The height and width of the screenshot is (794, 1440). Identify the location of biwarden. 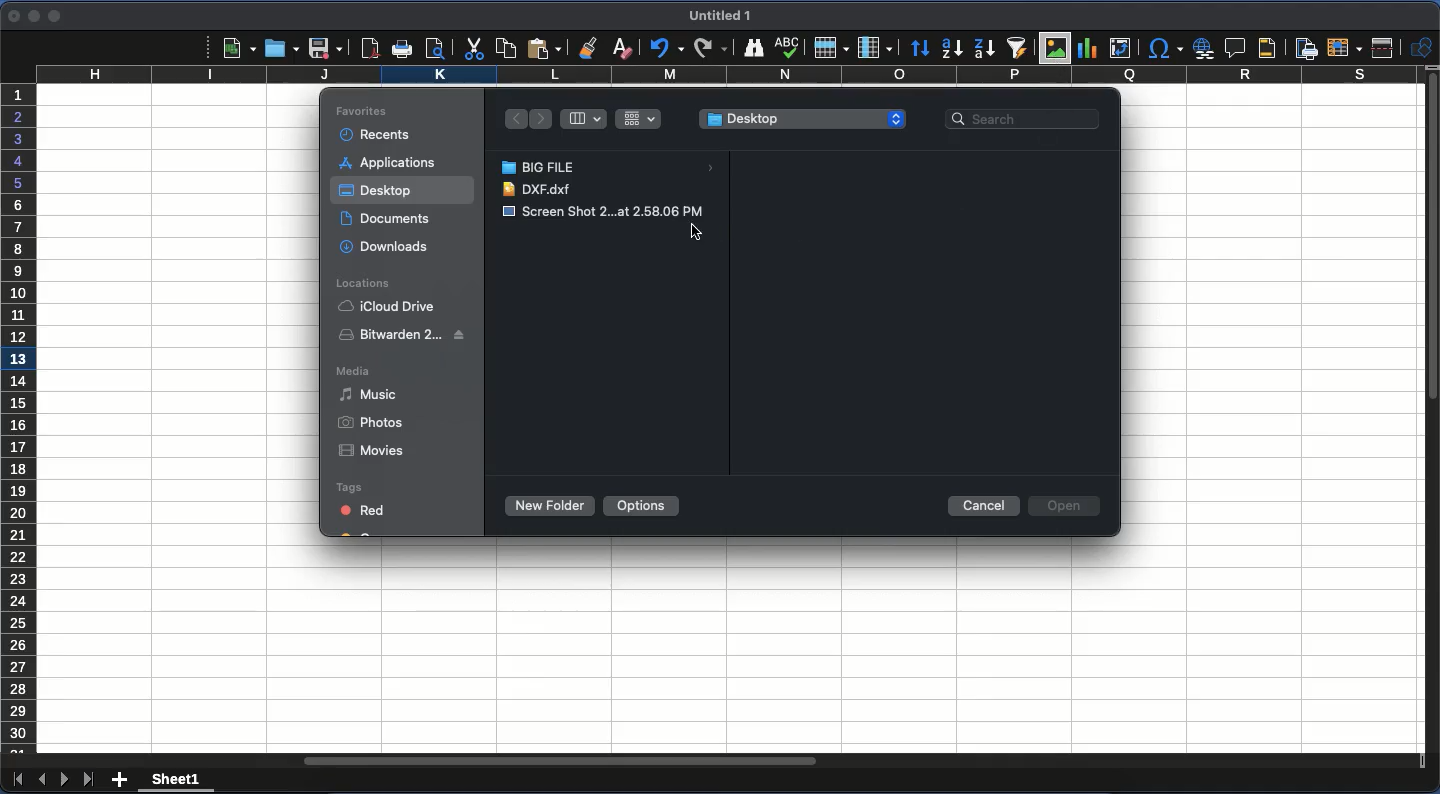
(407, 335).